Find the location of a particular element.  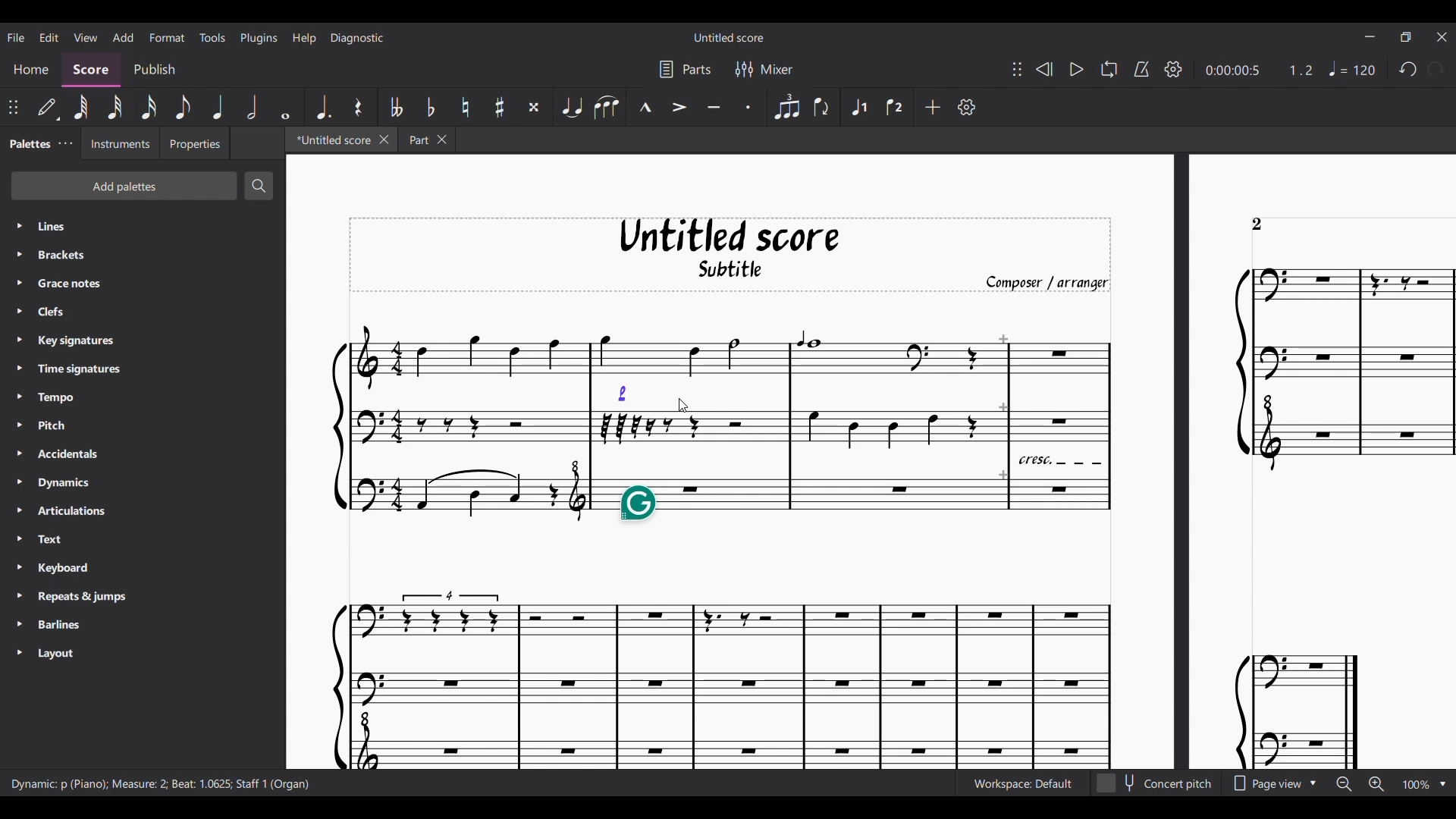

Diagnostic menu is located at coordinates (357, 38).